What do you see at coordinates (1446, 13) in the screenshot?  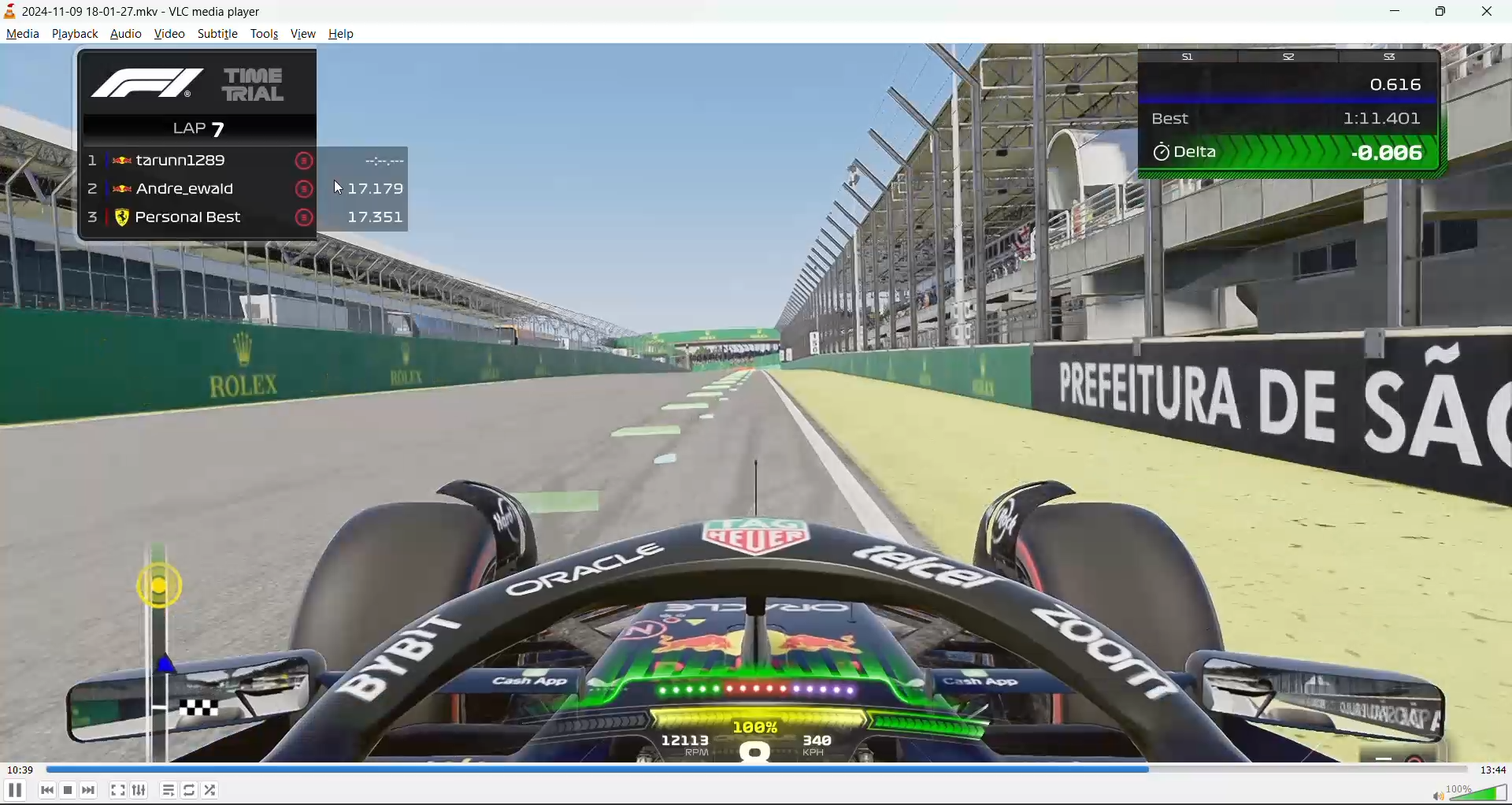 I see `maximize` at bounding box center [1446, 13].